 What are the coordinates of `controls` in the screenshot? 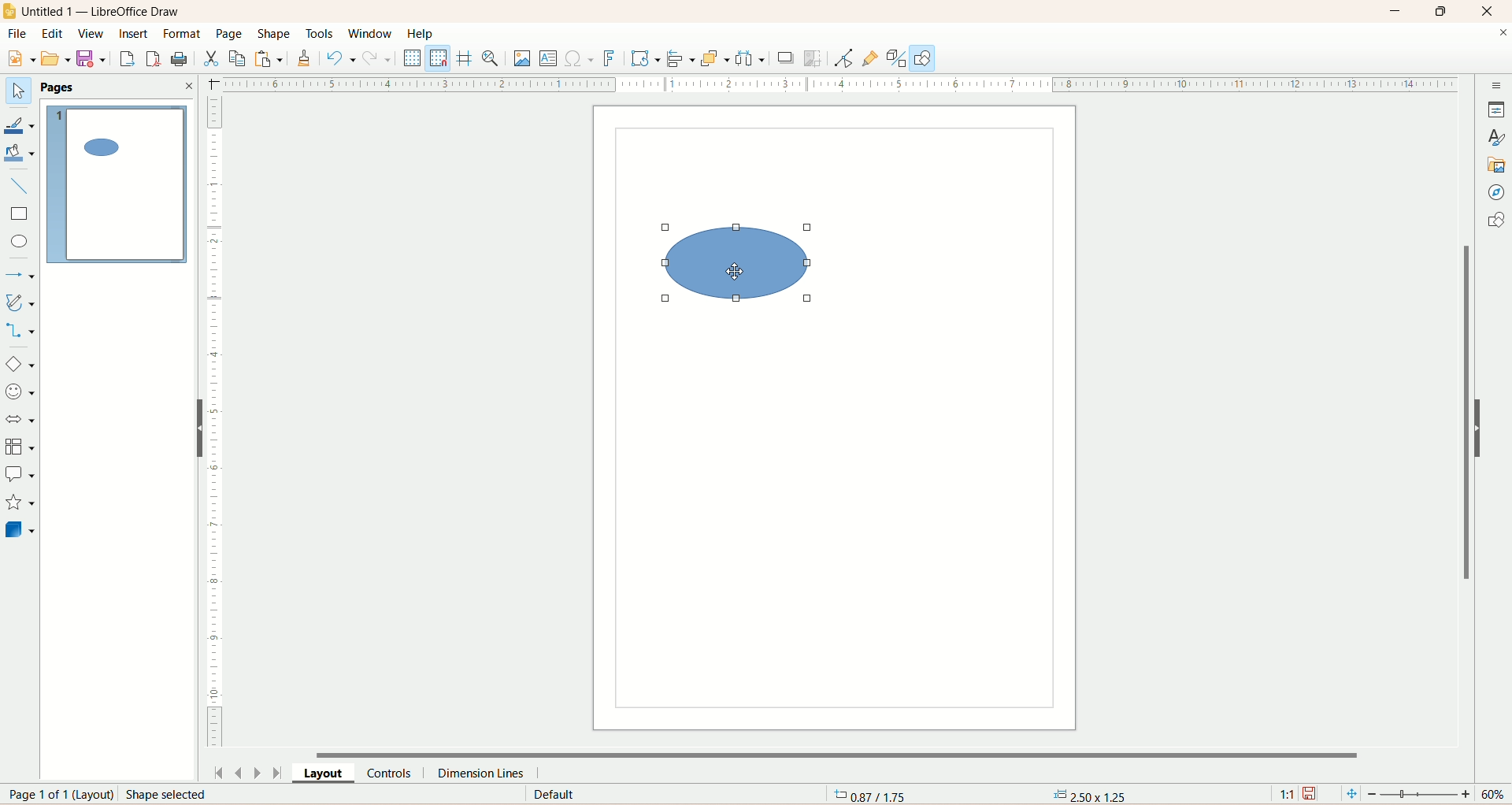 It's located at (393, 773).